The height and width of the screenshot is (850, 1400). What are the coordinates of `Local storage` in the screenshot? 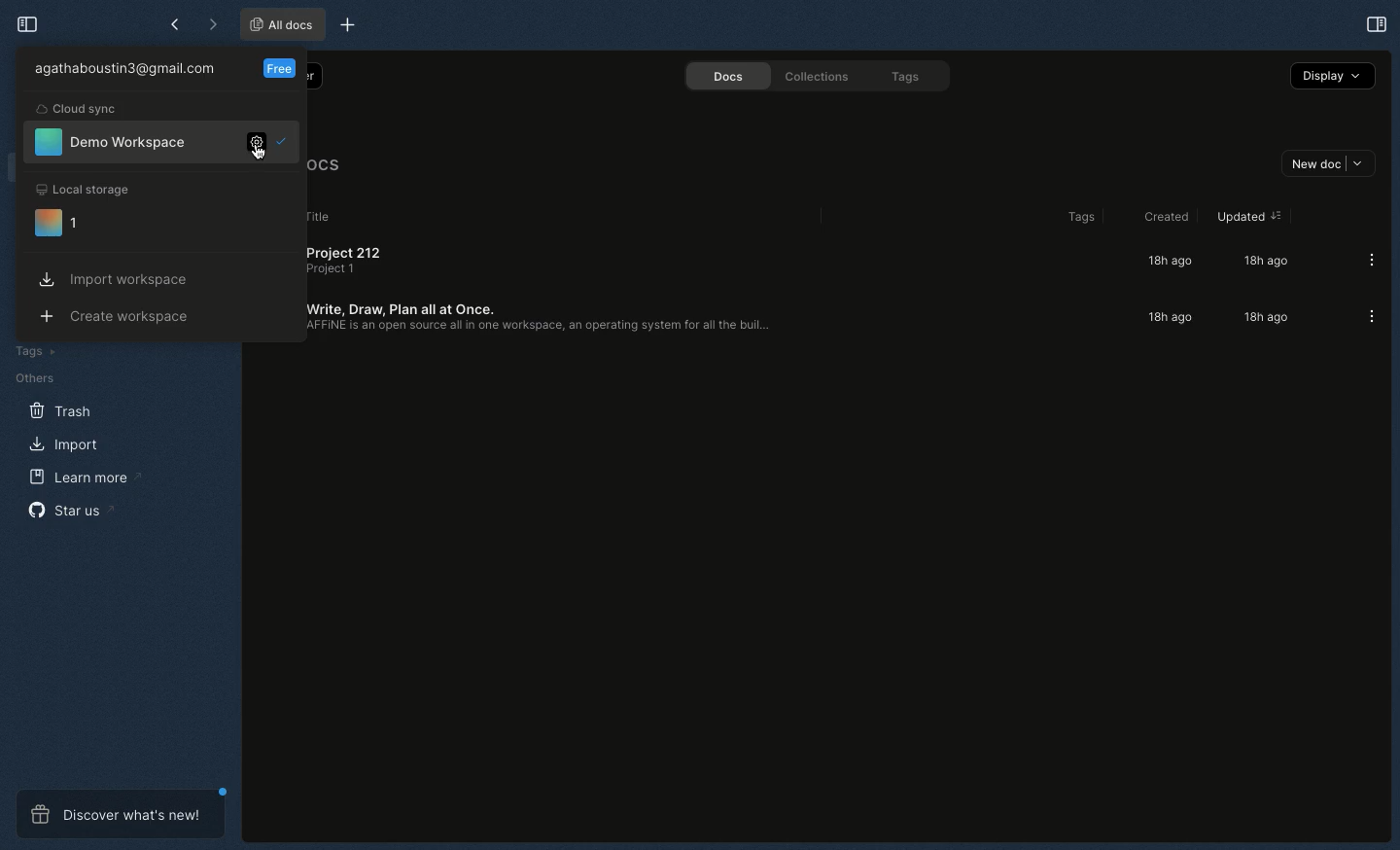 It's located at (85, 189).